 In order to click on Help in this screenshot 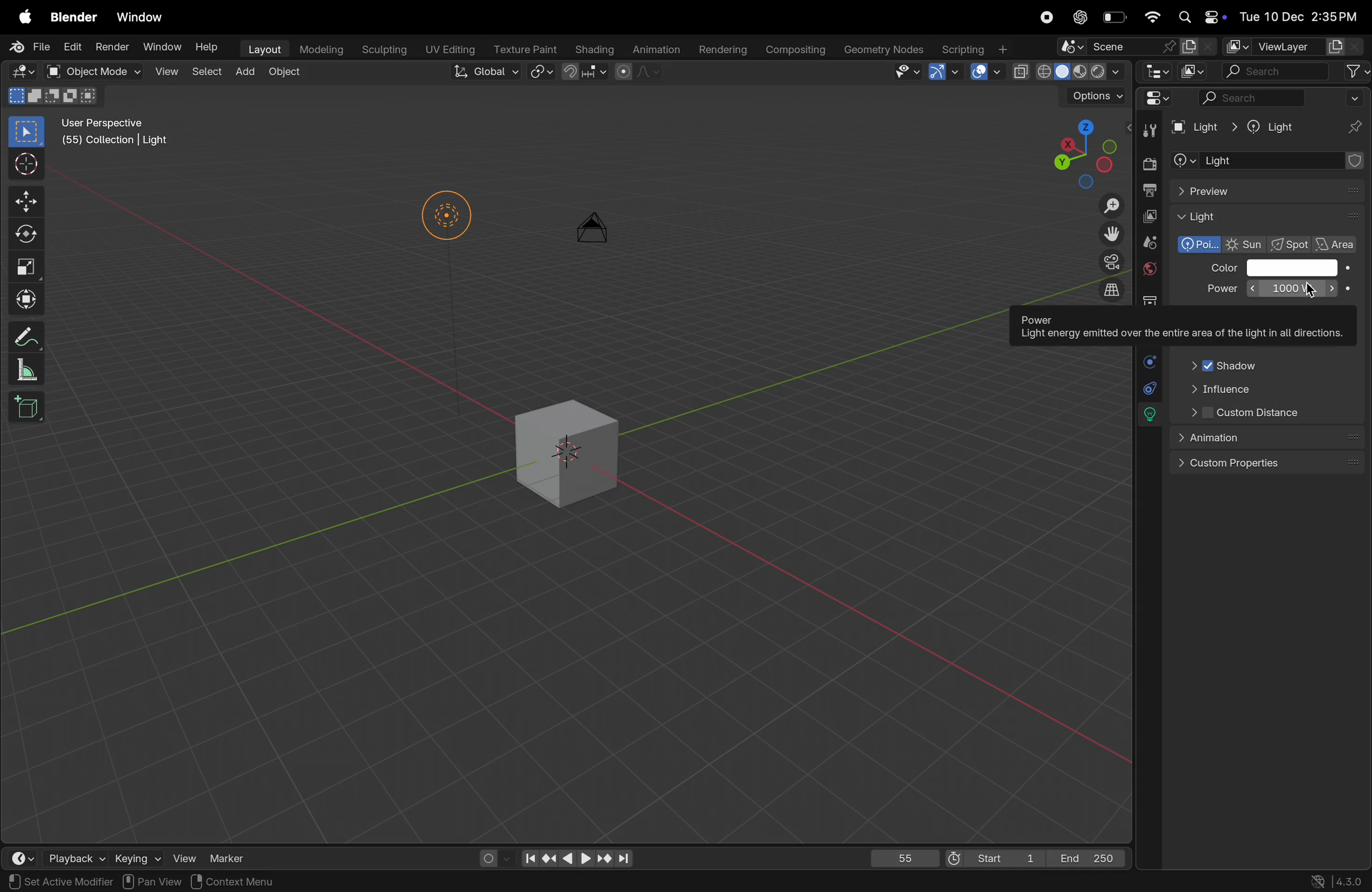, I will do `click(208, 48)`.